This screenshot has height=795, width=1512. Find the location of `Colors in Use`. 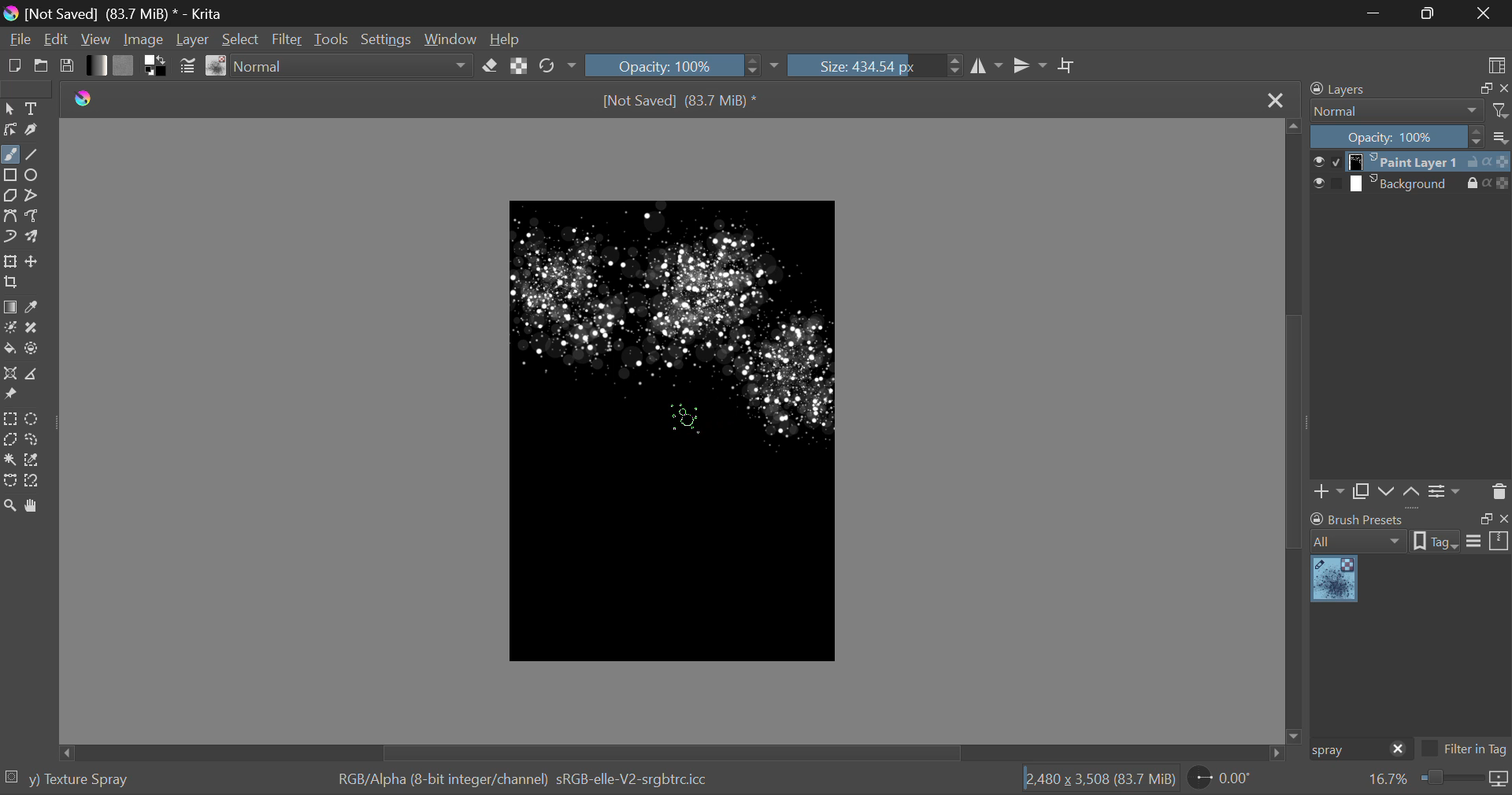

Colors in Use is located at coordinates (157, 66).